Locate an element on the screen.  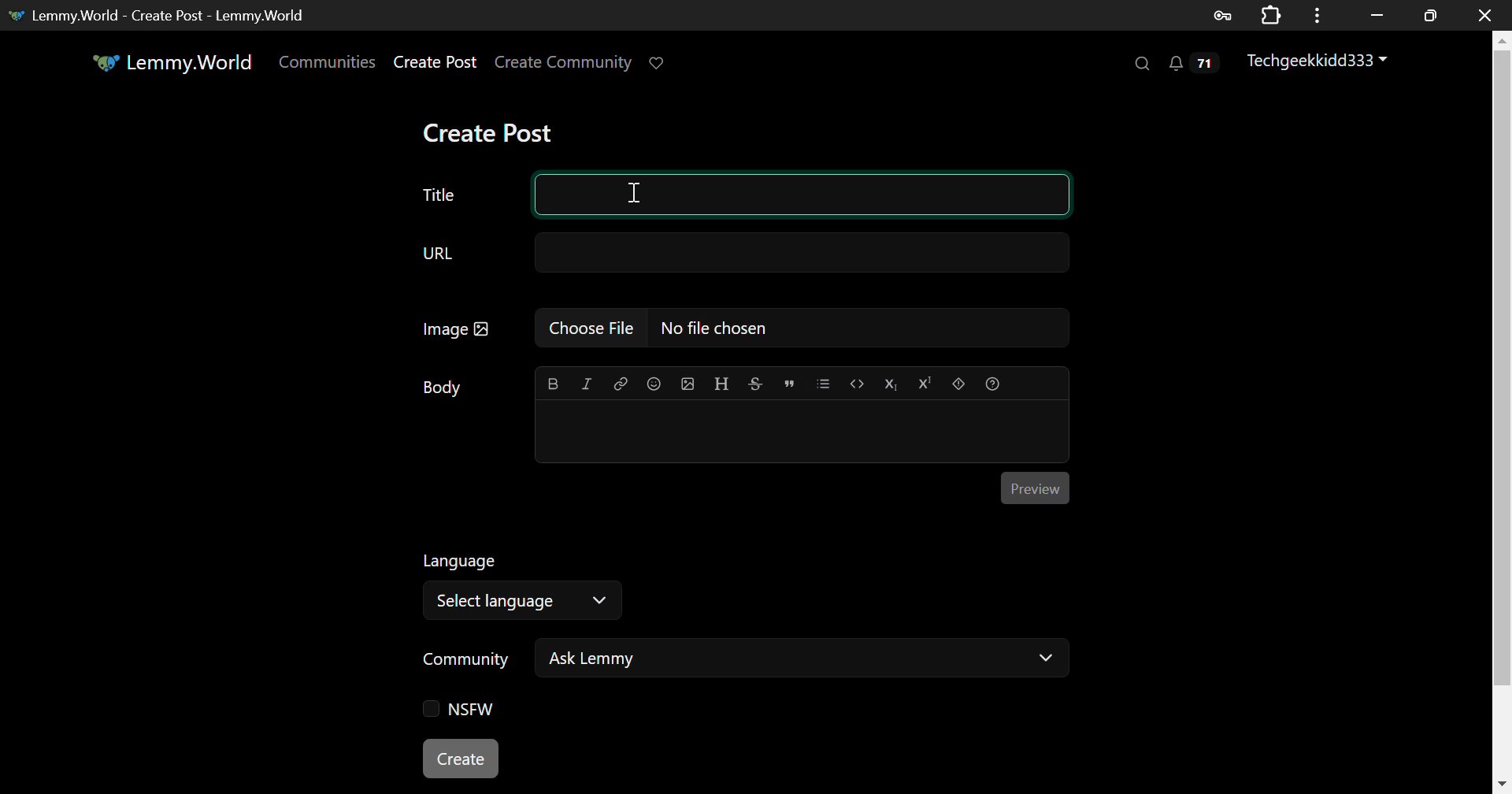
Communities Page is located at coordinates (329, 63).